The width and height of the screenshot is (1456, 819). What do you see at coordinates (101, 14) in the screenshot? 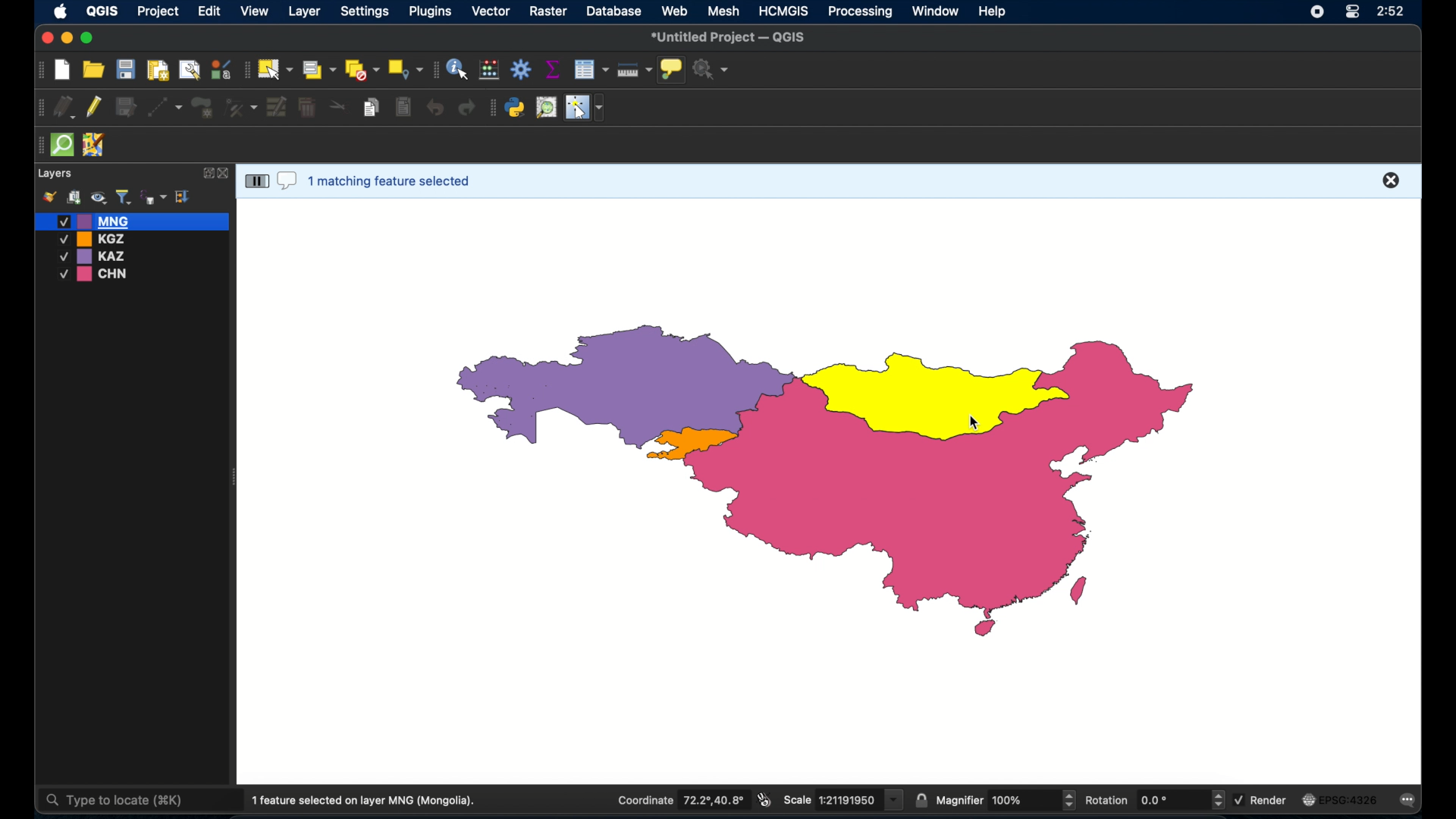
I see `QGIS` at bounding box center [101, 14].